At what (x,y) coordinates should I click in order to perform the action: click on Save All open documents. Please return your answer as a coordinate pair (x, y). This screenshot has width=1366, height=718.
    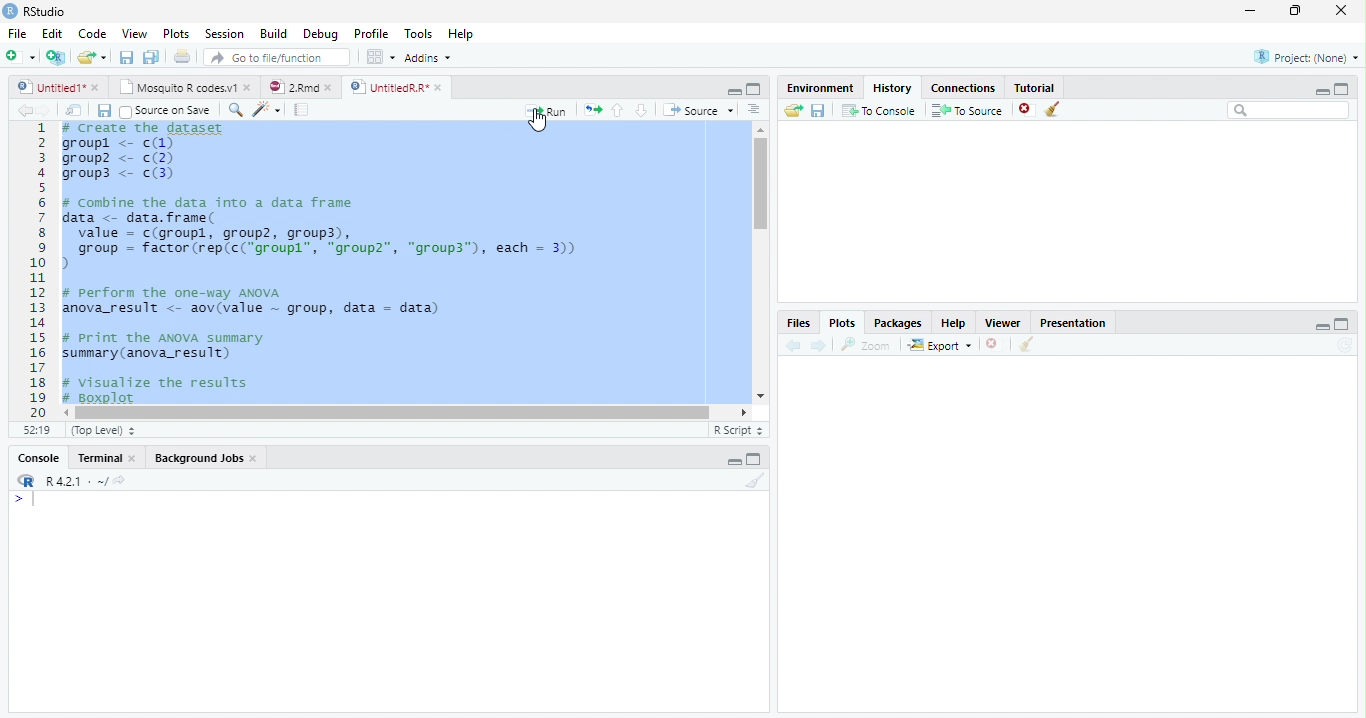
    Looking at the image, I should click on (150, 57).